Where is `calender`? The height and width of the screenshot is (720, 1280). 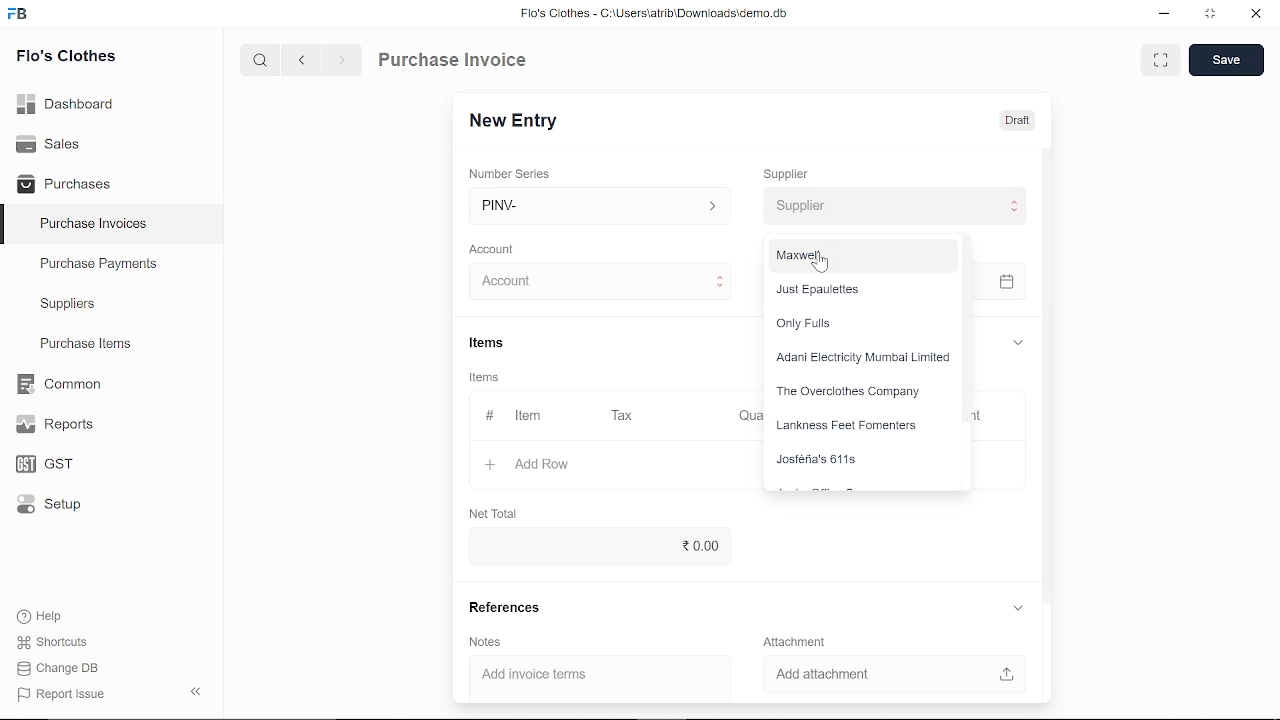
calender is located at coordinates (1009, 282).